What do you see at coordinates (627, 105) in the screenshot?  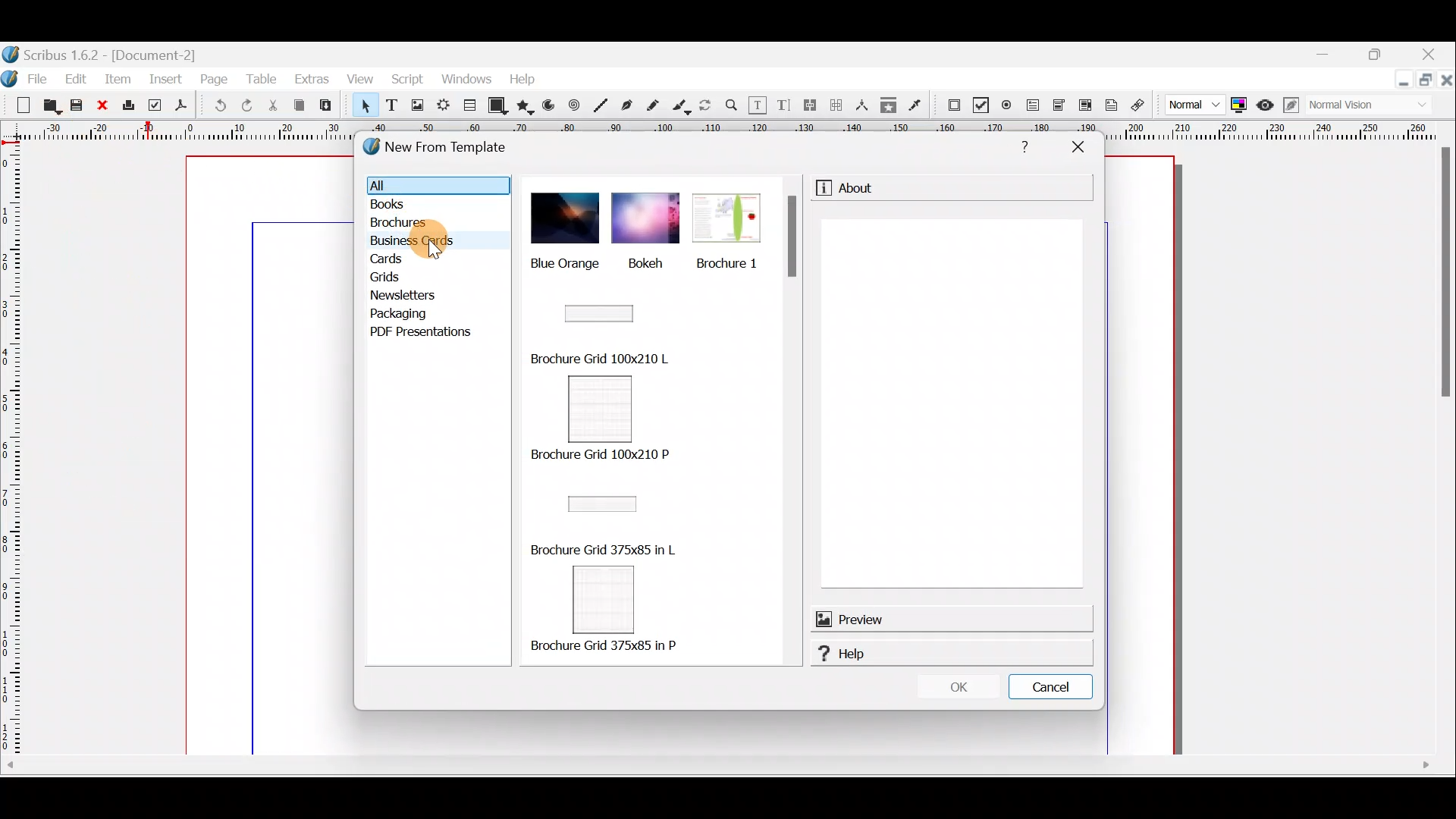 I see `Bezier curver` at bounding box center [627, 105].